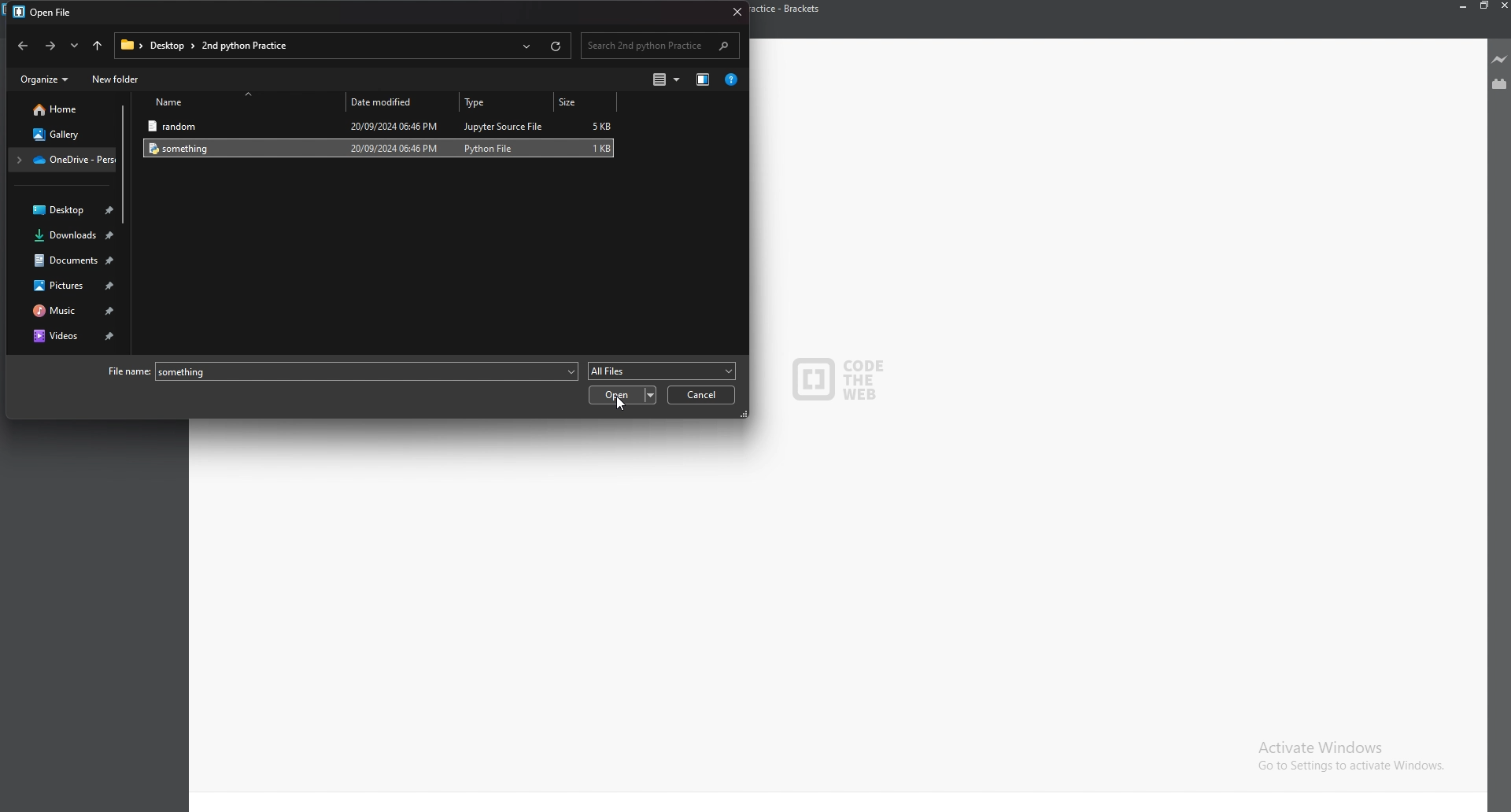 The image size is (1511, 812). What do you see at coordinates (601, 149) in the screenshot?
I see `1 KB` at bounding box center [601, 149].